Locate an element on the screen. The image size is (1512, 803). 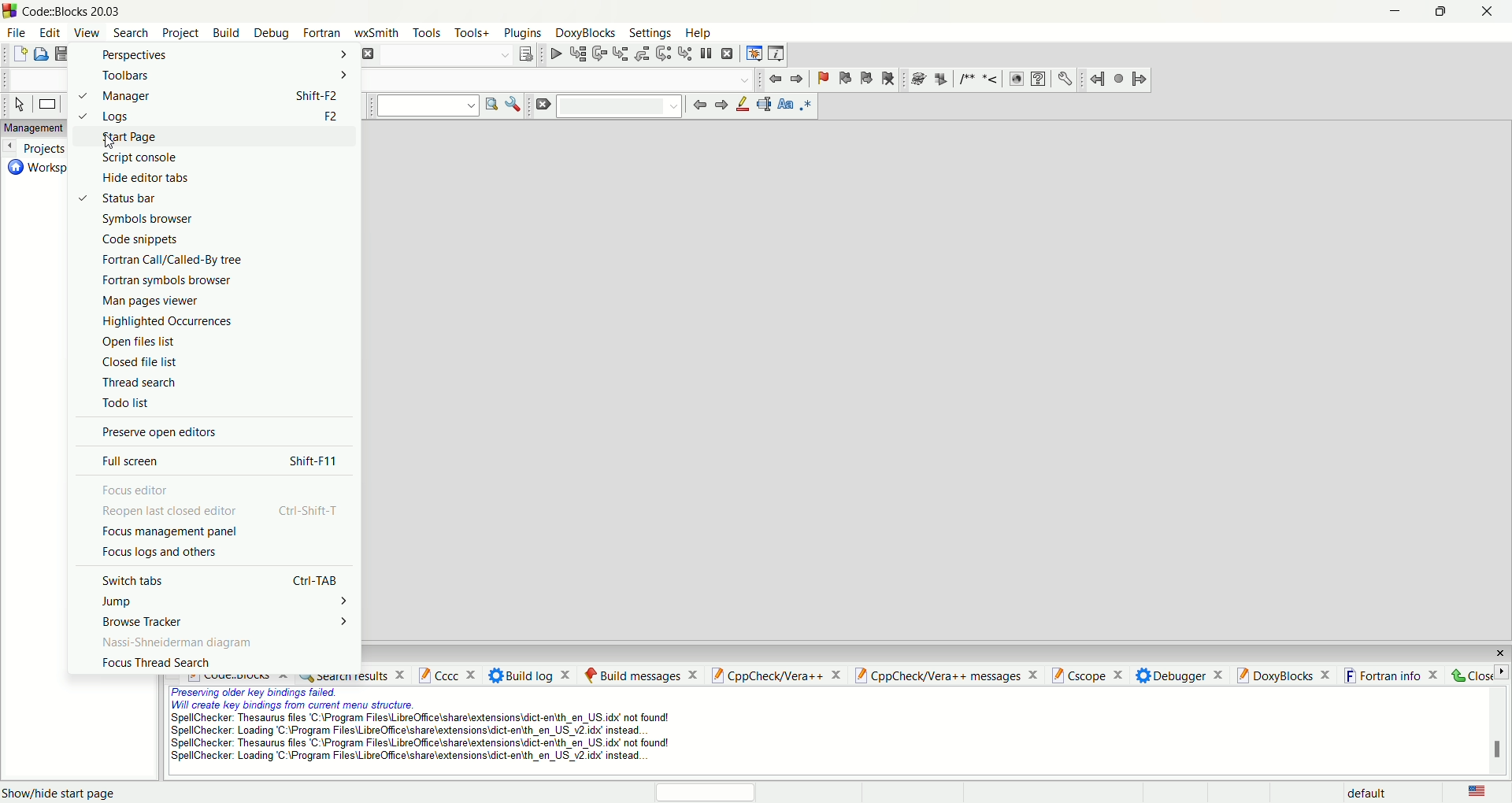
tools is located at coordinates (427, 33).